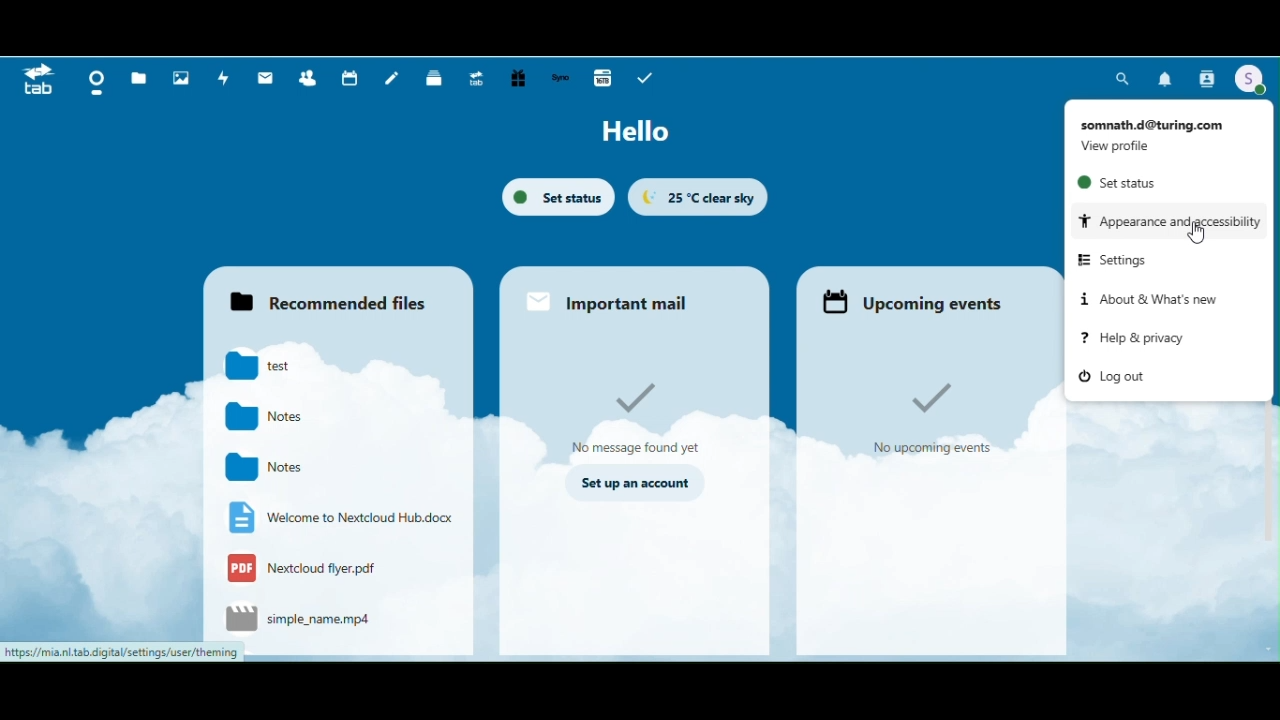 This screenshot has height=720, width=1280. What do you see at coordinates (276, 468) in the screenshot?
I see `Notes` at bounding box center [276, 468].